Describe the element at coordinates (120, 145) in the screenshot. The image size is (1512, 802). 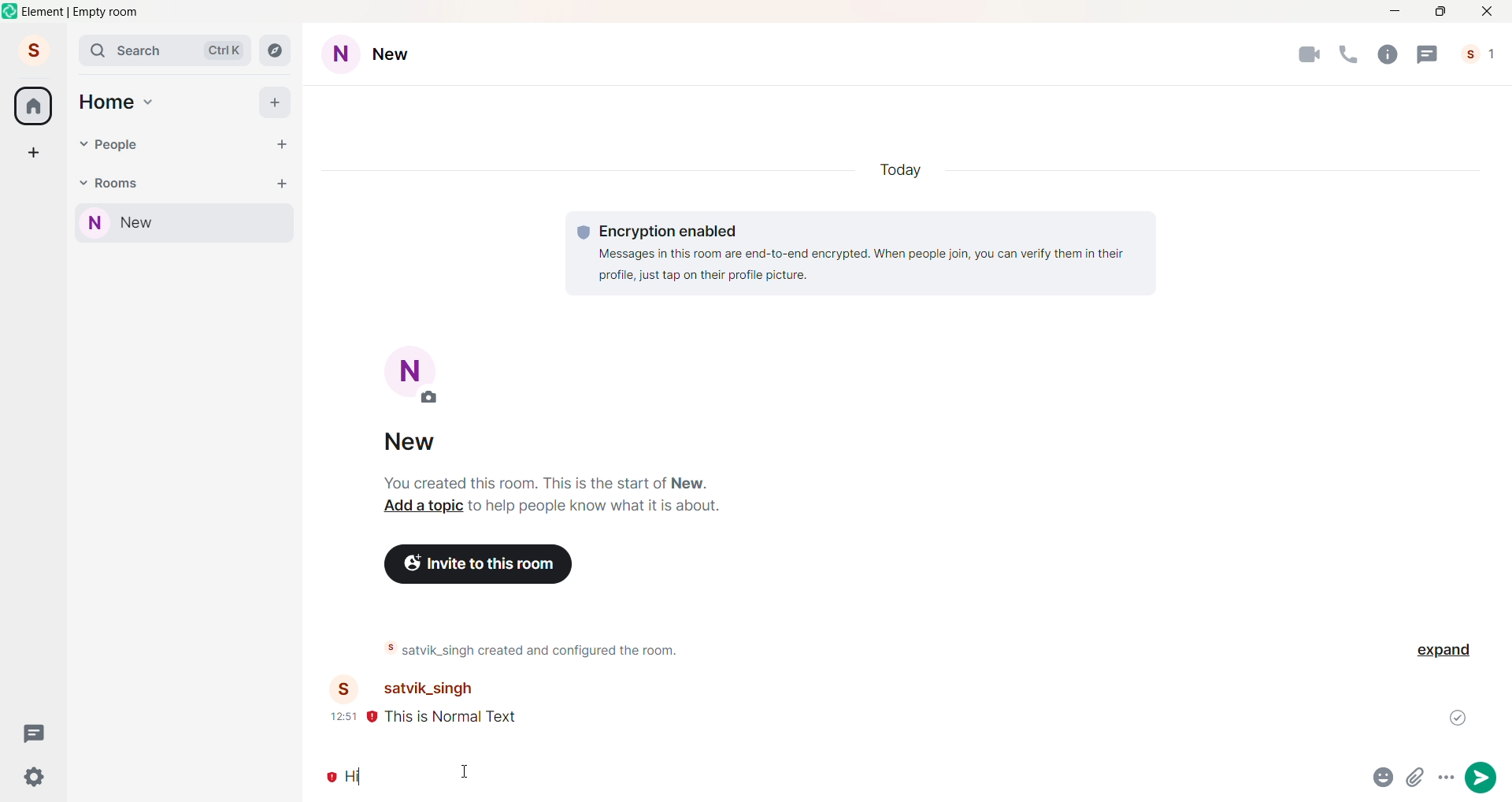
I see `People` at that location.